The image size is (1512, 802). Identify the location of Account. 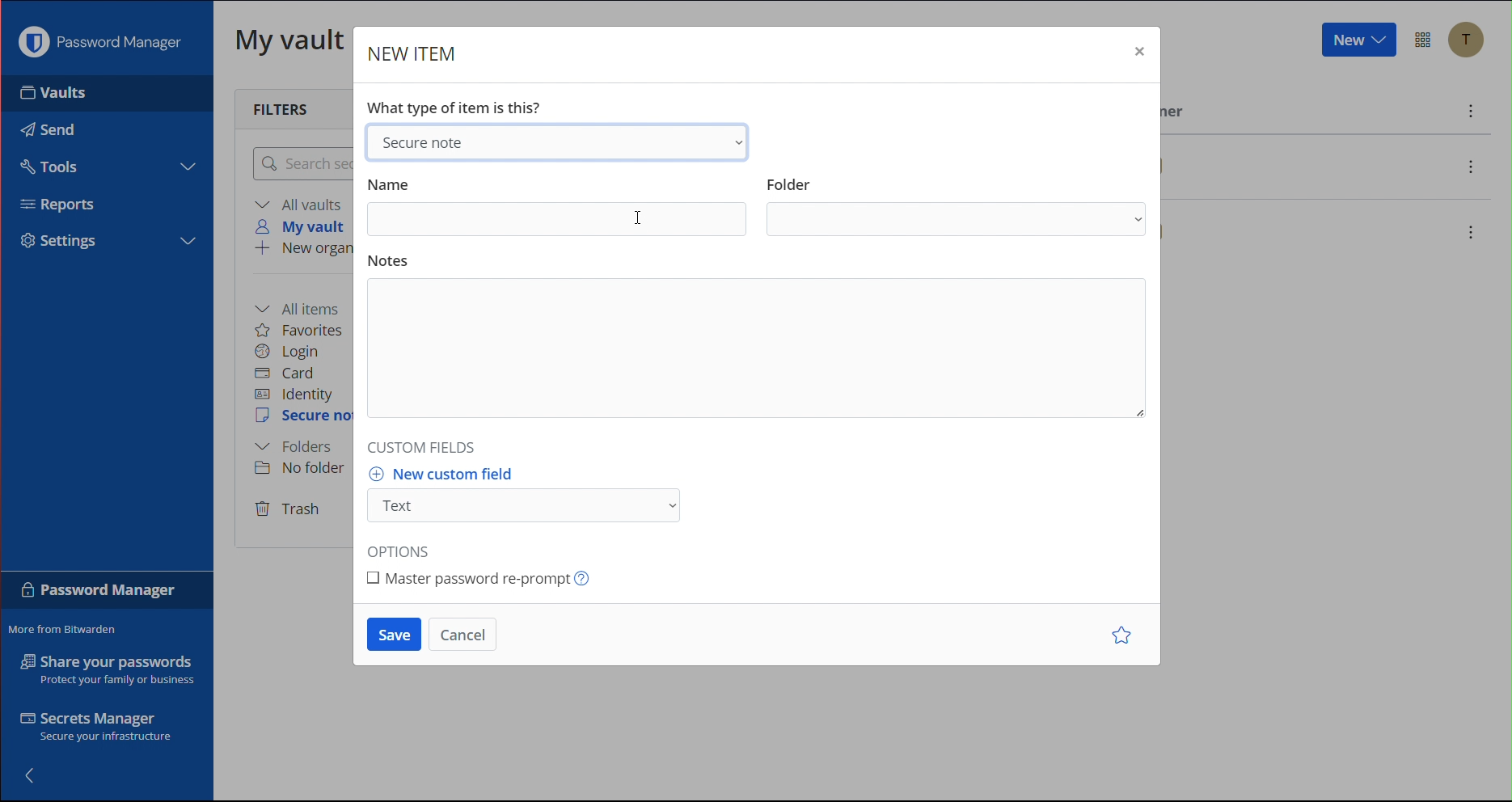
(1469, 40).